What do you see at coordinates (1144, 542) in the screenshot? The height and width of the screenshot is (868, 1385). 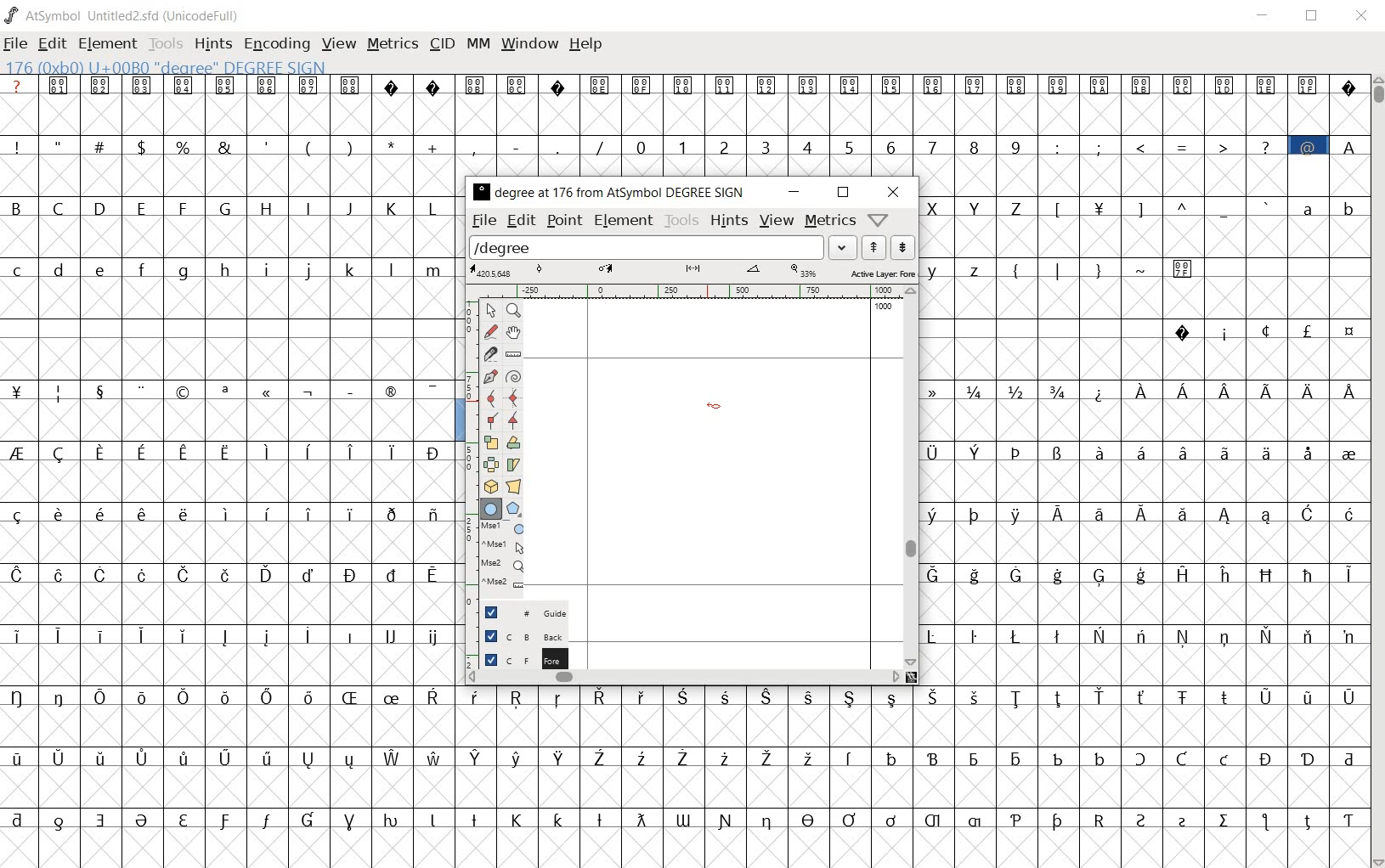 I see `empty glyph slots` at bounding box center [1144, 542].